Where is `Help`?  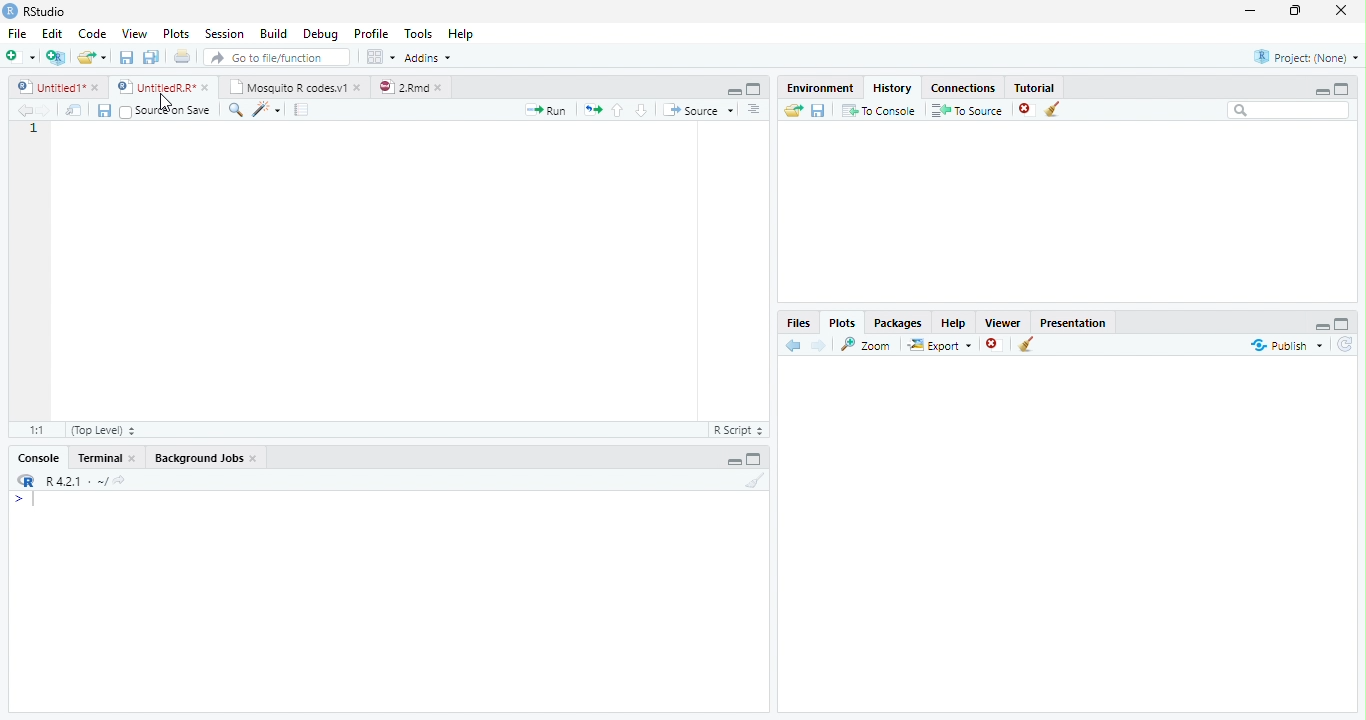 Help is located at coordinates (954, 322).